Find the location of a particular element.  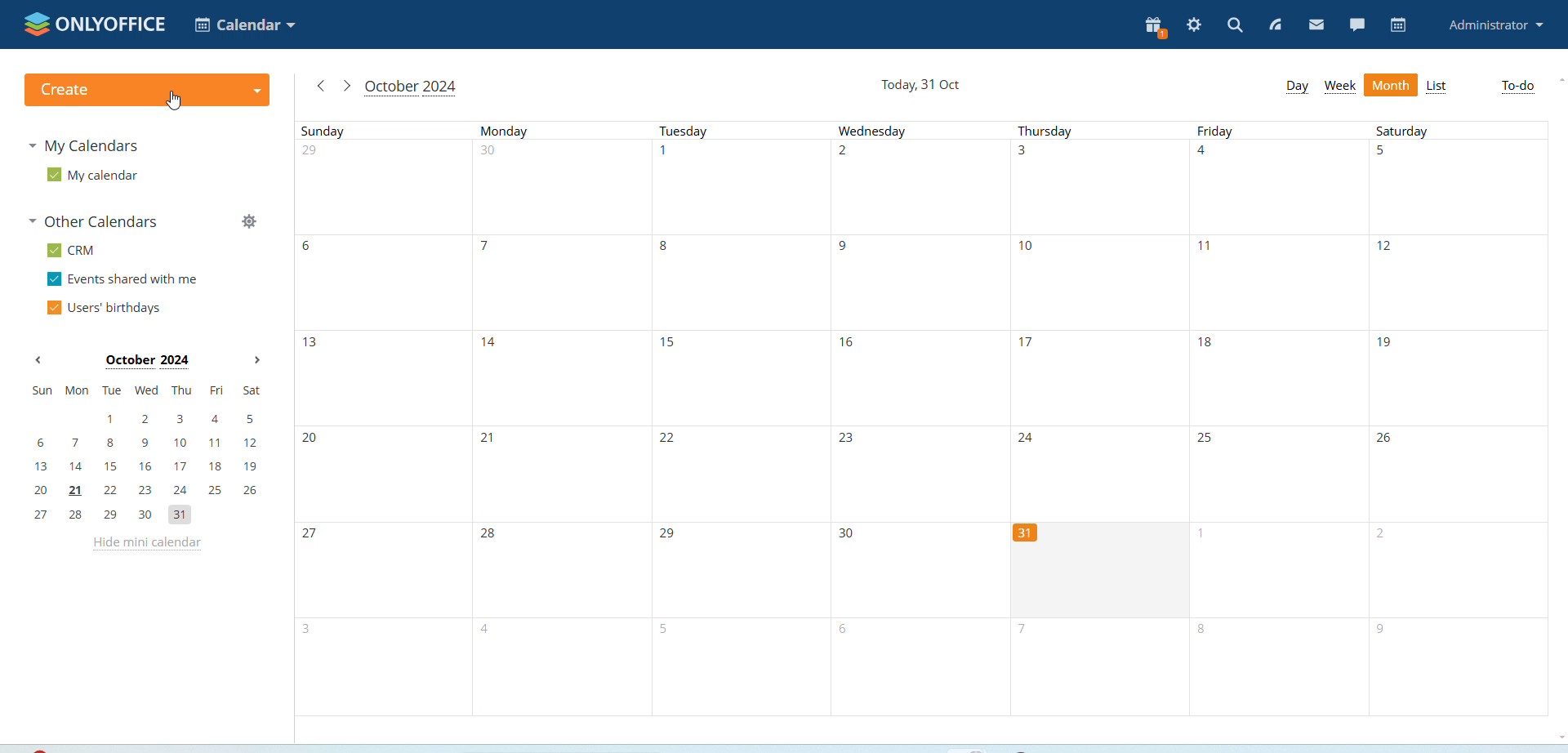

Tuesdays is located at coordinates (739, 419).